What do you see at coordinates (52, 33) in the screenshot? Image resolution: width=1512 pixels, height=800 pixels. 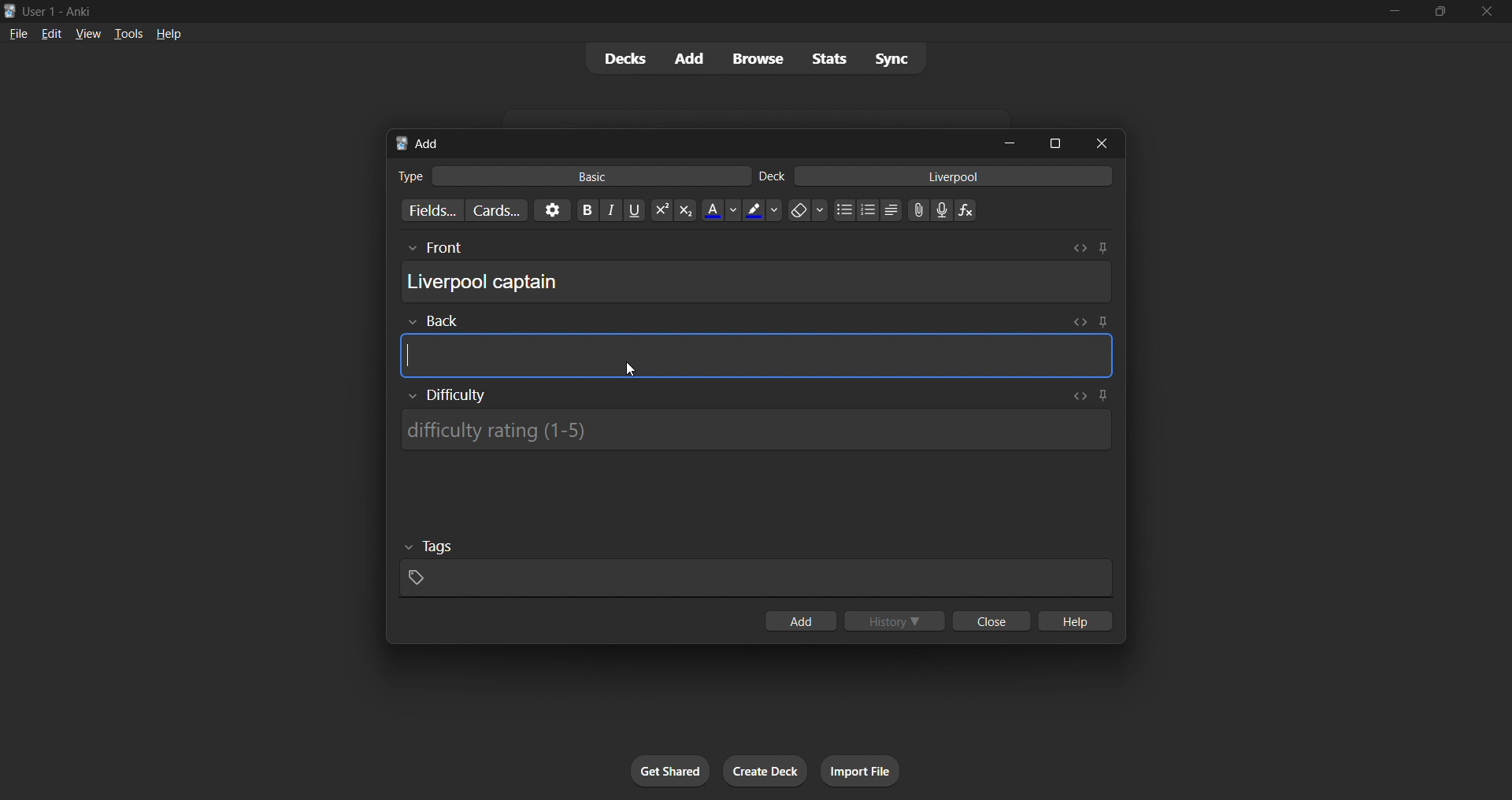 I see `edit` at bounding box center [52, 33].